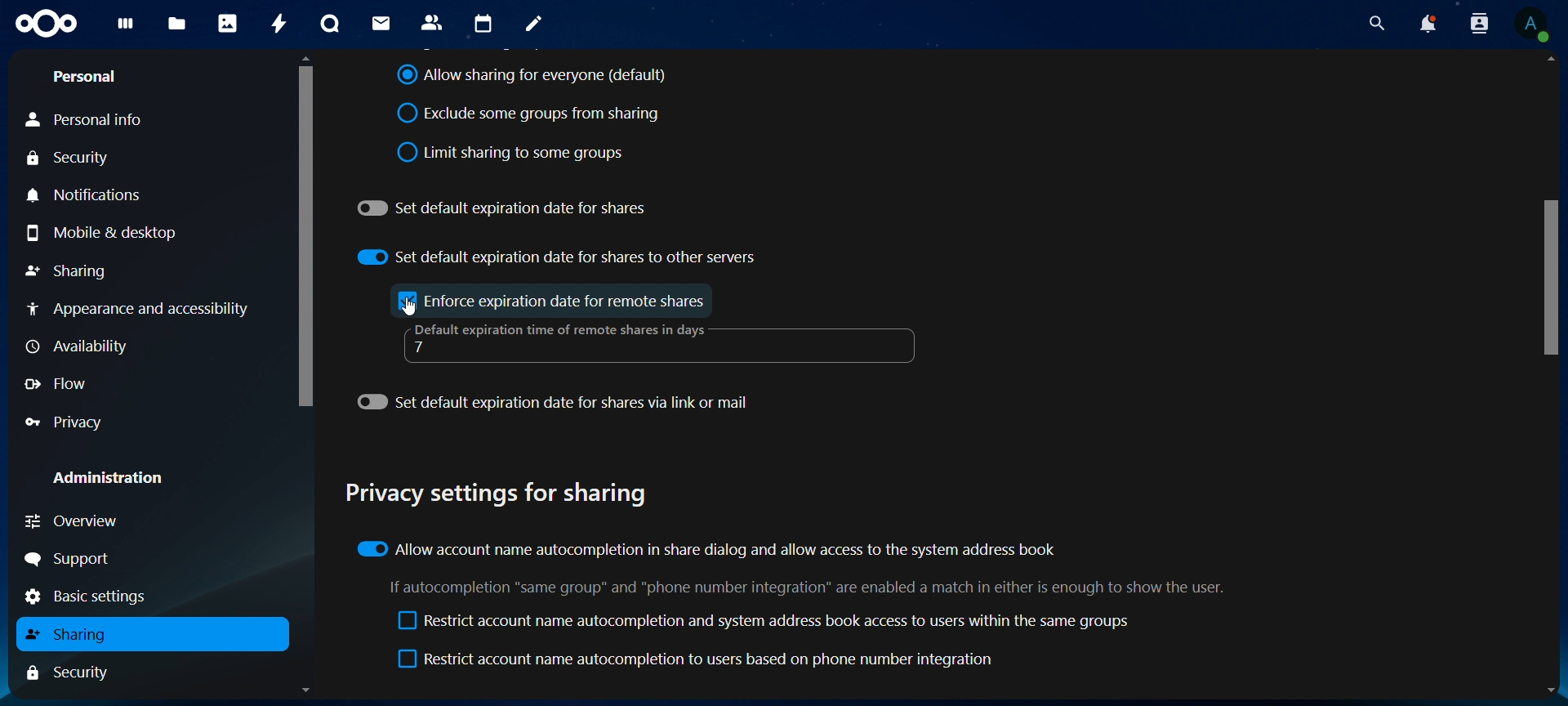 The width and height of the screenshot is (1568, 706). I want to click on exclude some groups from sharing, so click(535, 113).